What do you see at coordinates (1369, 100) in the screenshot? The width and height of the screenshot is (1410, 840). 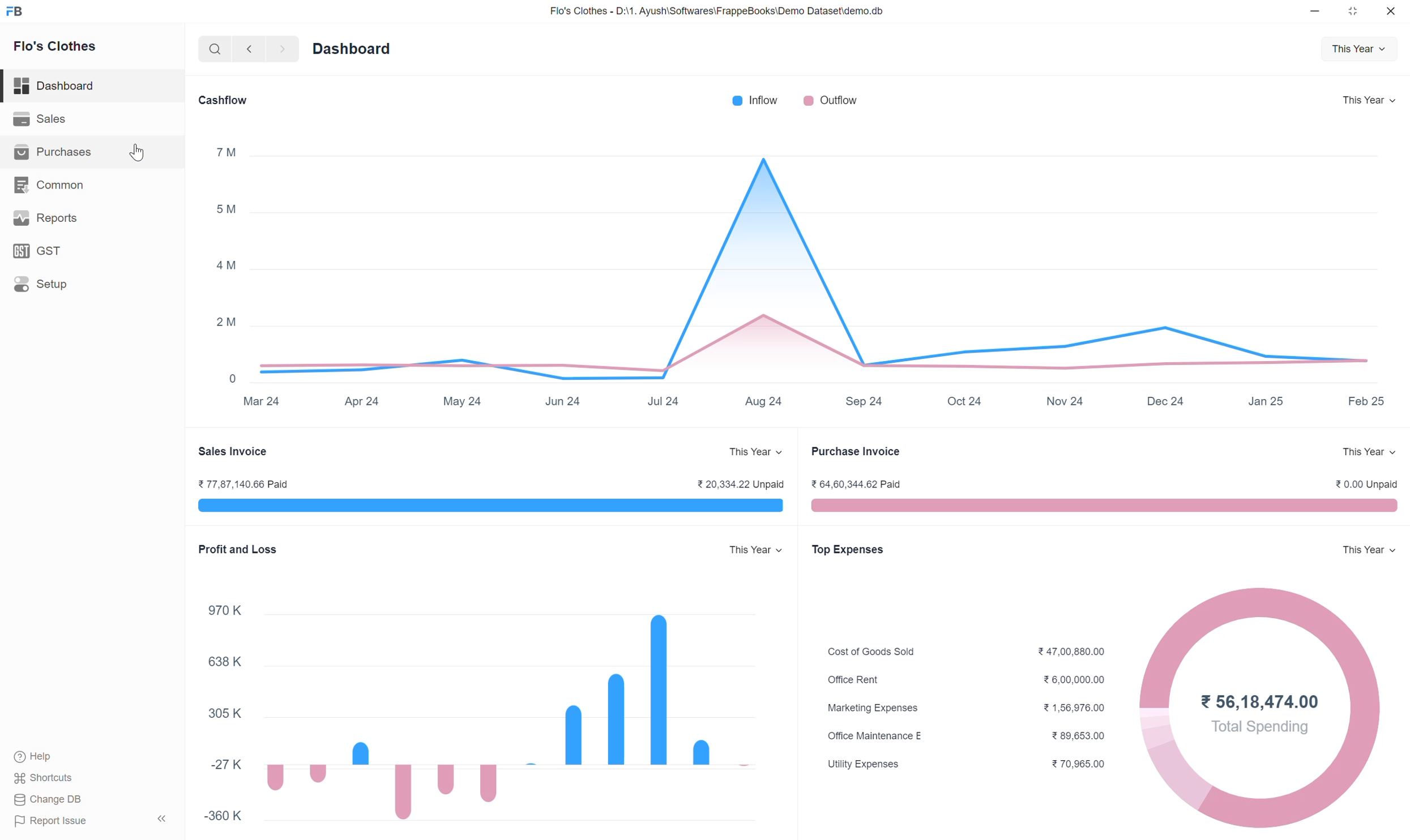 I see `This Year` at bounding box center [1369, 100].